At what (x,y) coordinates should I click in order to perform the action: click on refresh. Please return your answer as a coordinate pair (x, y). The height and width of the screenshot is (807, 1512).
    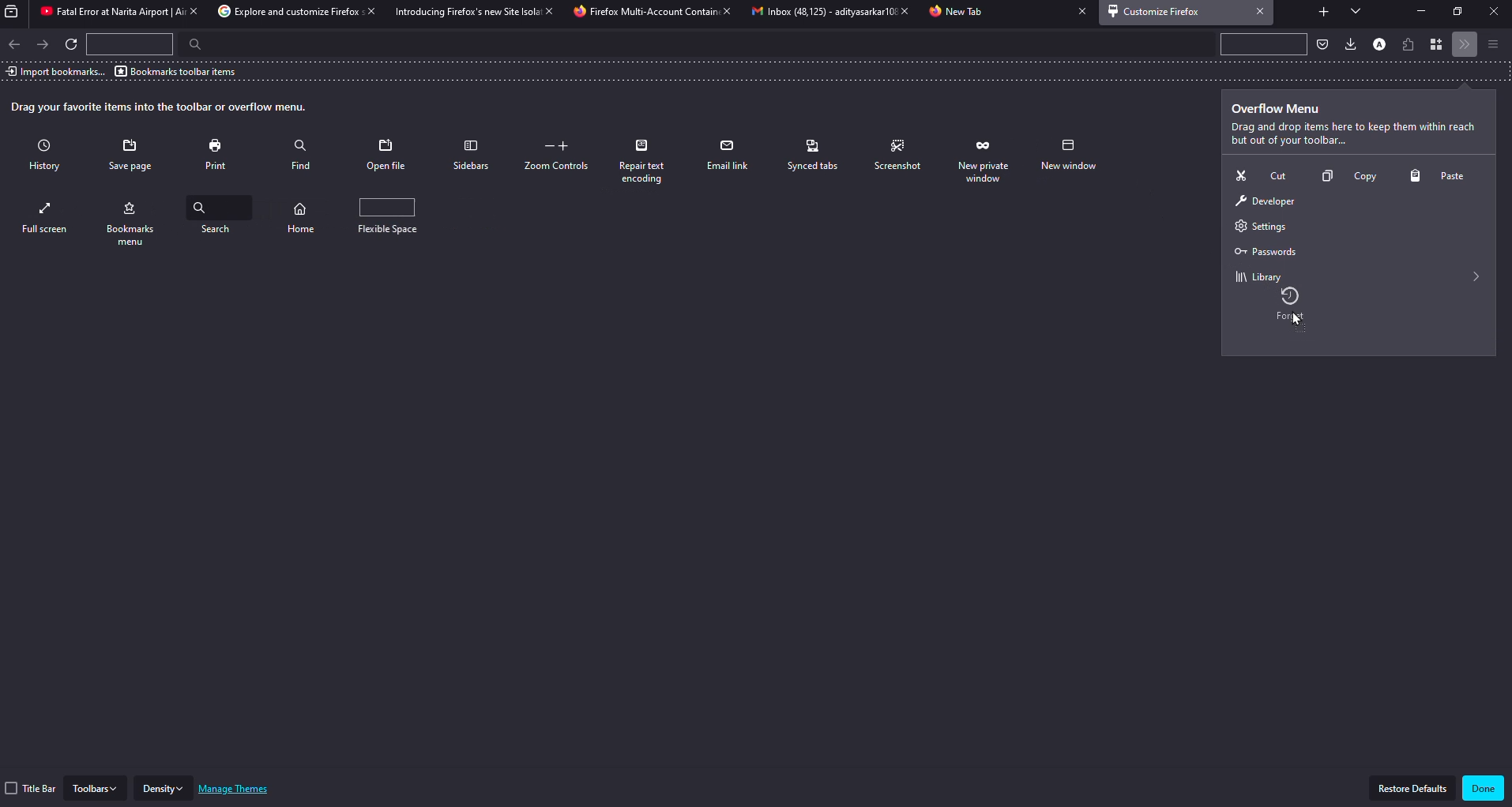
    Looking at the image, I should click on (73, 46).